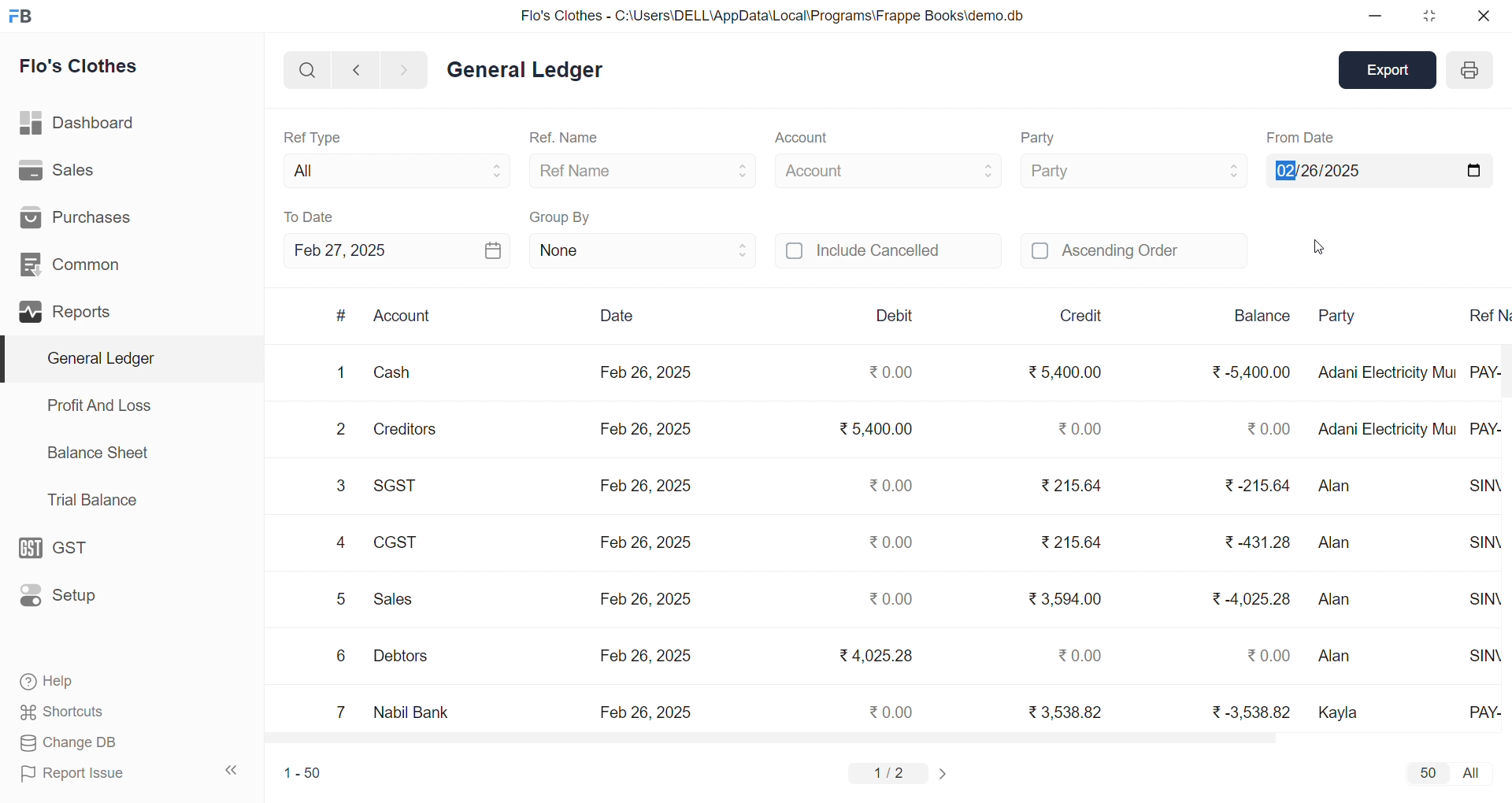 This screenshot has height=803, width=1512. I want to click on ₹5,400.00, so click(878, 431).